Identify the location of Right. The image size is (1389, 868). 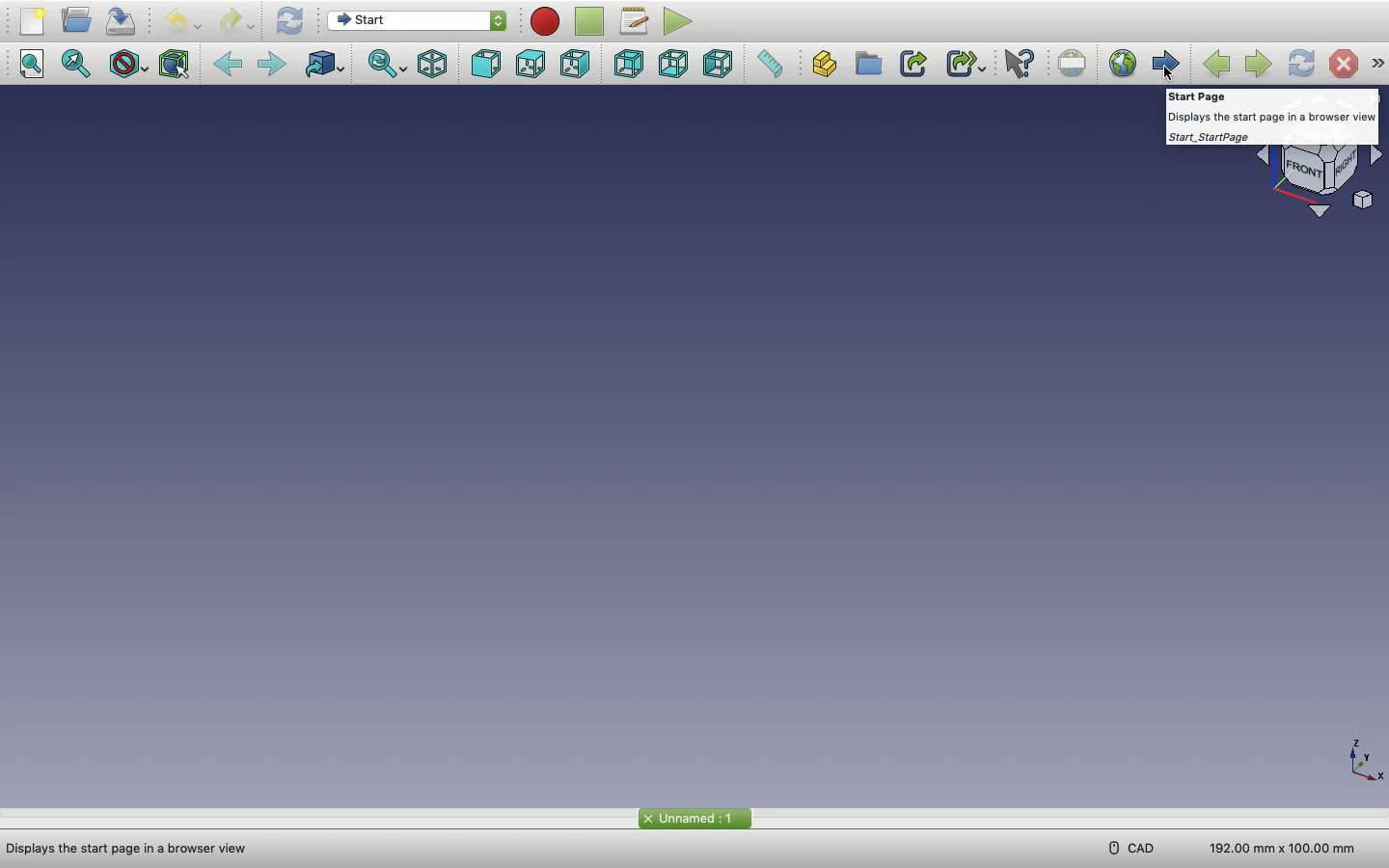
(574, 64).